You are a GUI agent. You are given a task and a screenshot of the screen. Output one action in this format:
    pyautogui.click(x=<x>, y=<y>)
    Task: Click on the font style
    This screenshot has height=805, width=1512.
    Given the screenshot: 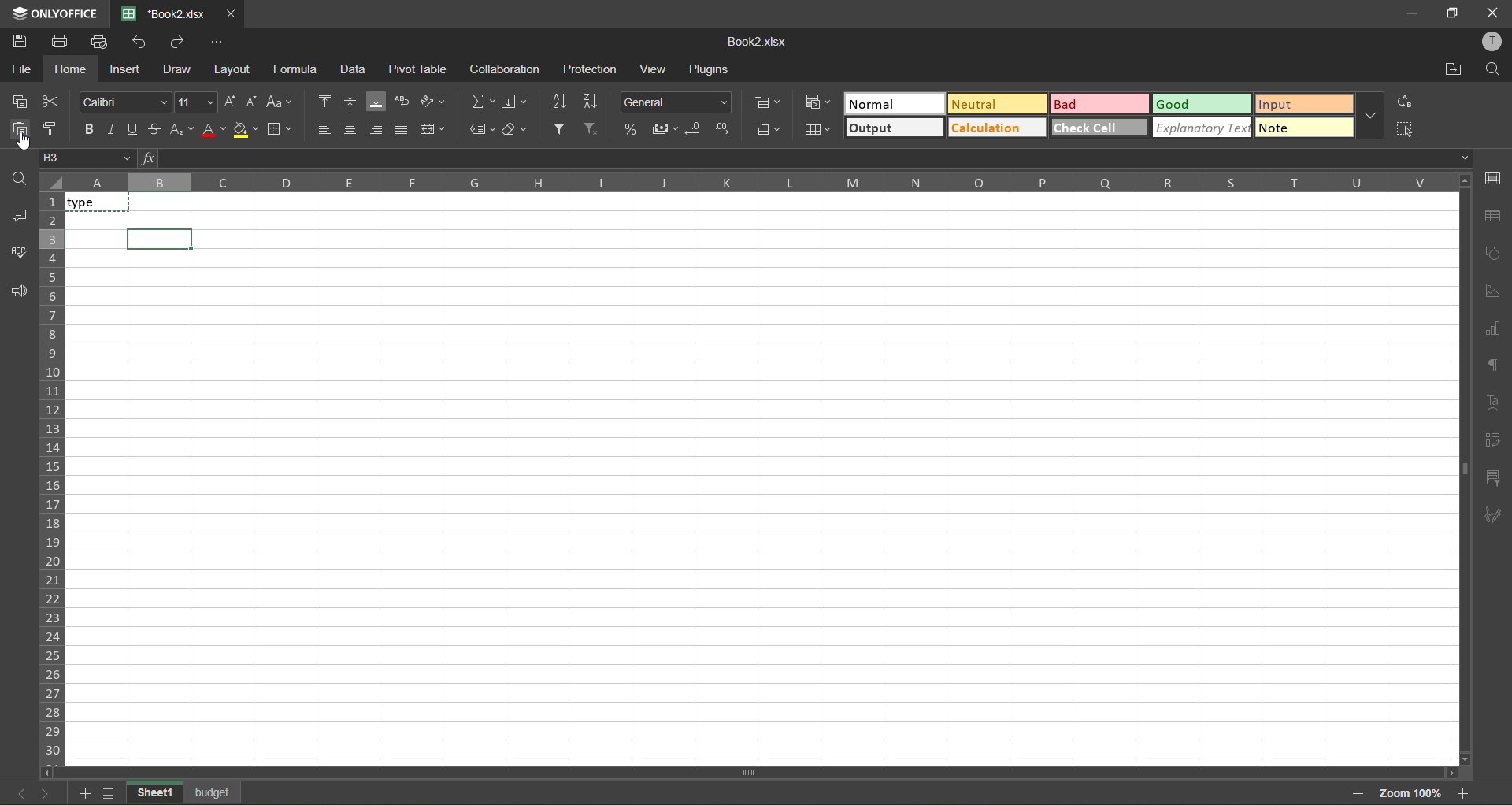 What is the action you would take?
    pyautogui.click(x=124, y=101)
    